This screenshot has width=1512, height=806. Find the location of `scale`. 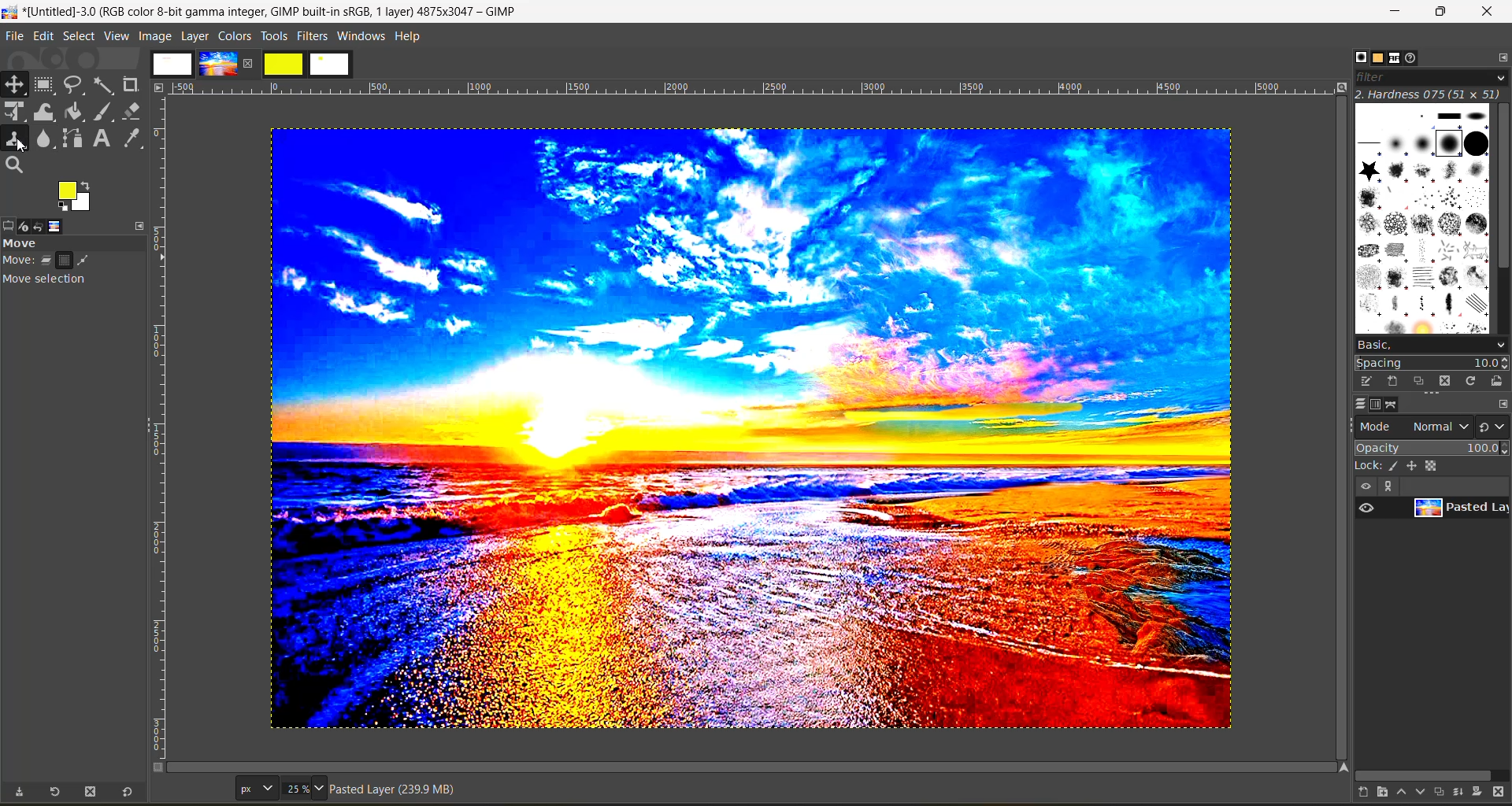

scale is located at coordinates (15, 113).